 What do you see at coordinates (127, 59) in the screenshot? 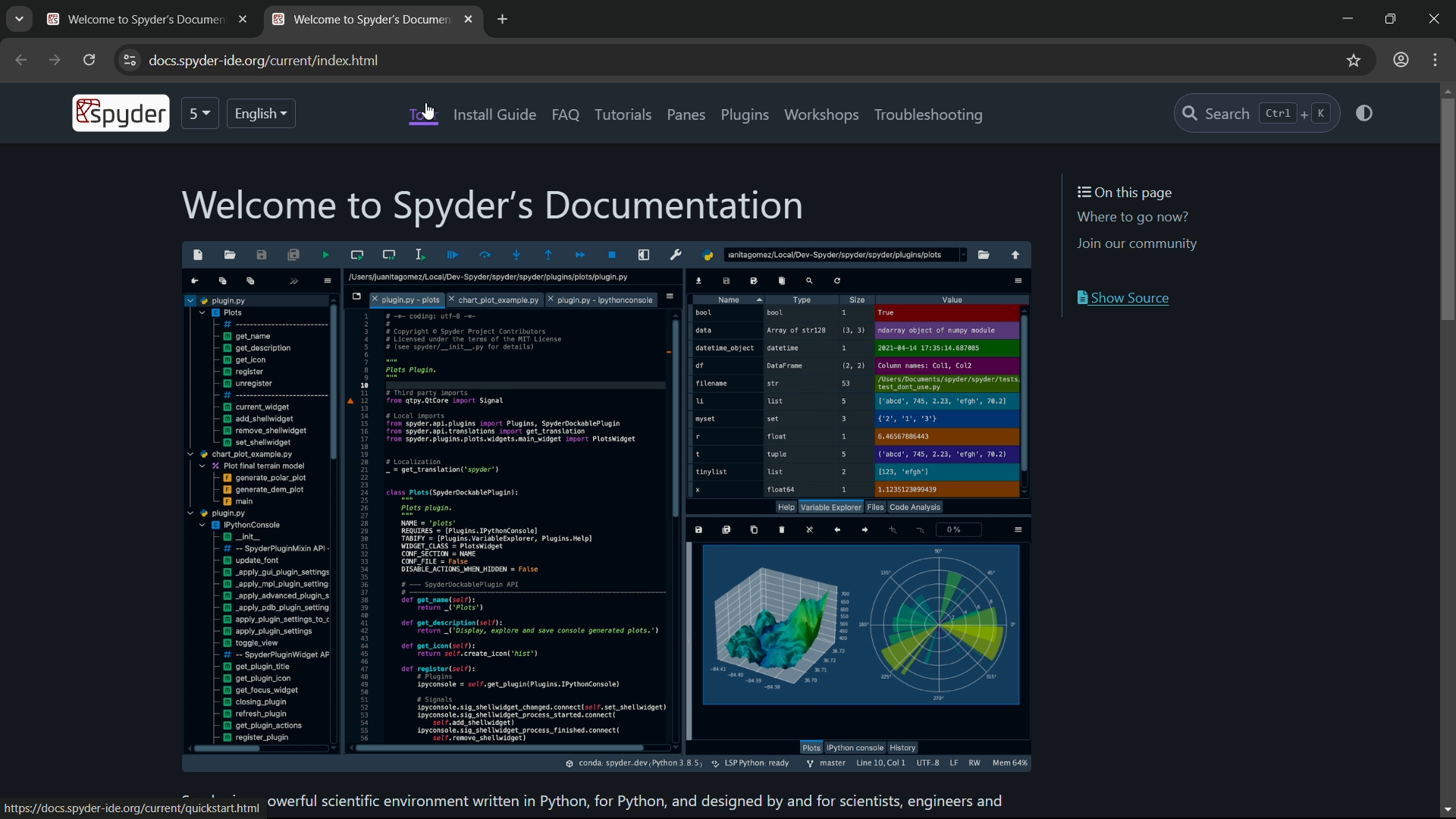
I see `customize settings` at bounding box center [127, 59].